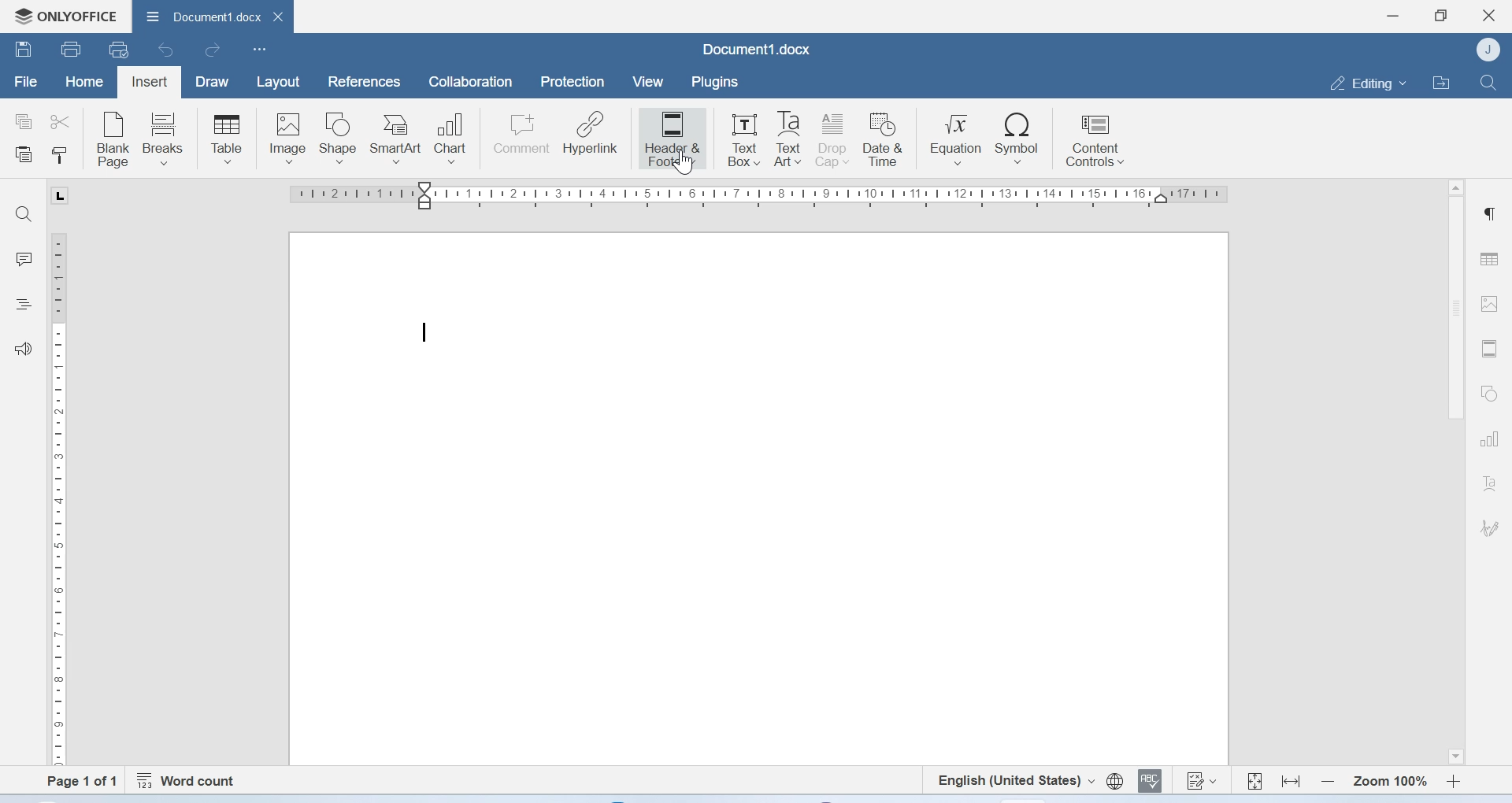  I want to click on Open file location, so click(1440, 81).